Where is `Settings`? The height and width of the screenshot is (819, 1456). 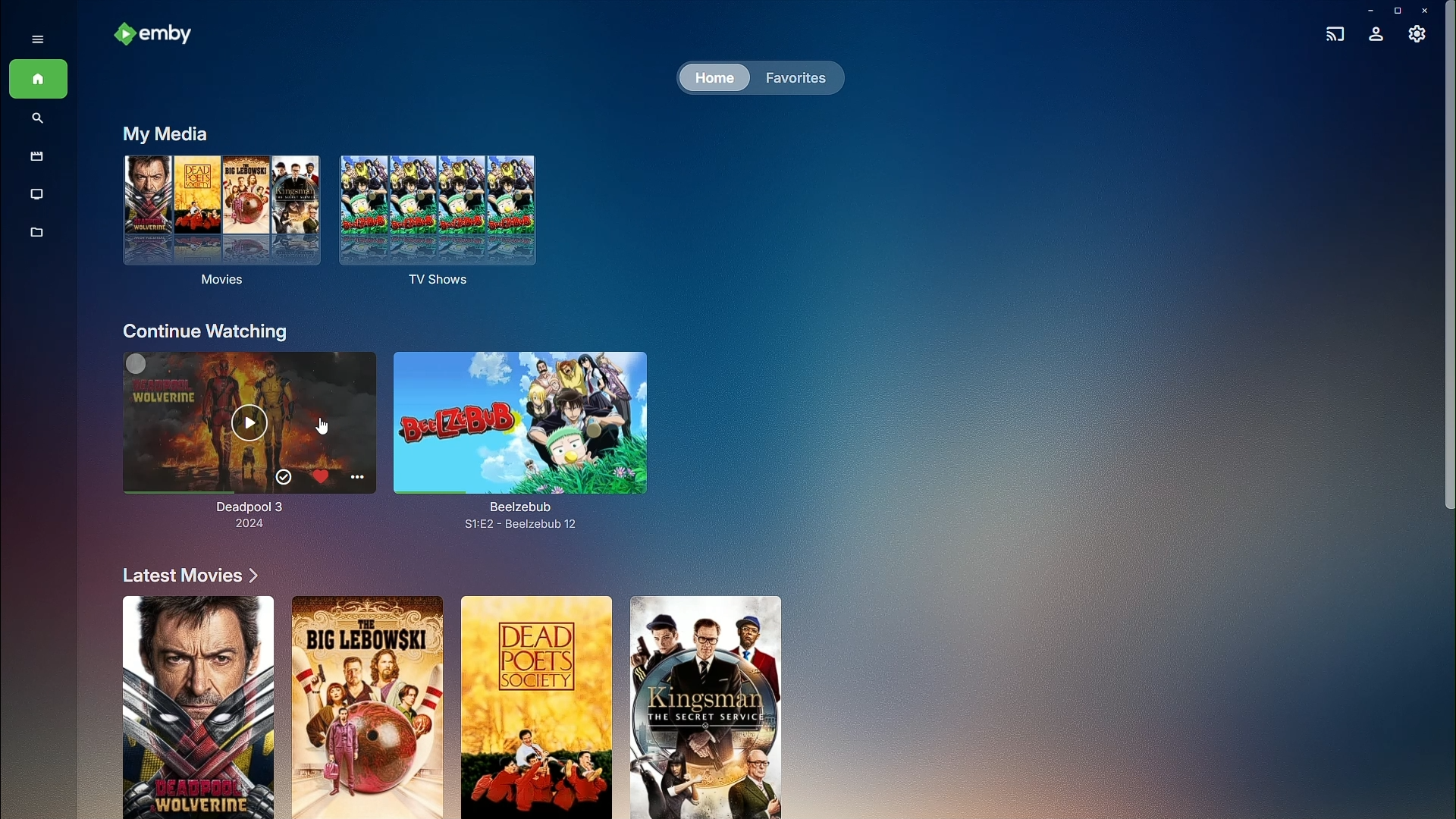
Settings is located at coordinates (1416, 33).